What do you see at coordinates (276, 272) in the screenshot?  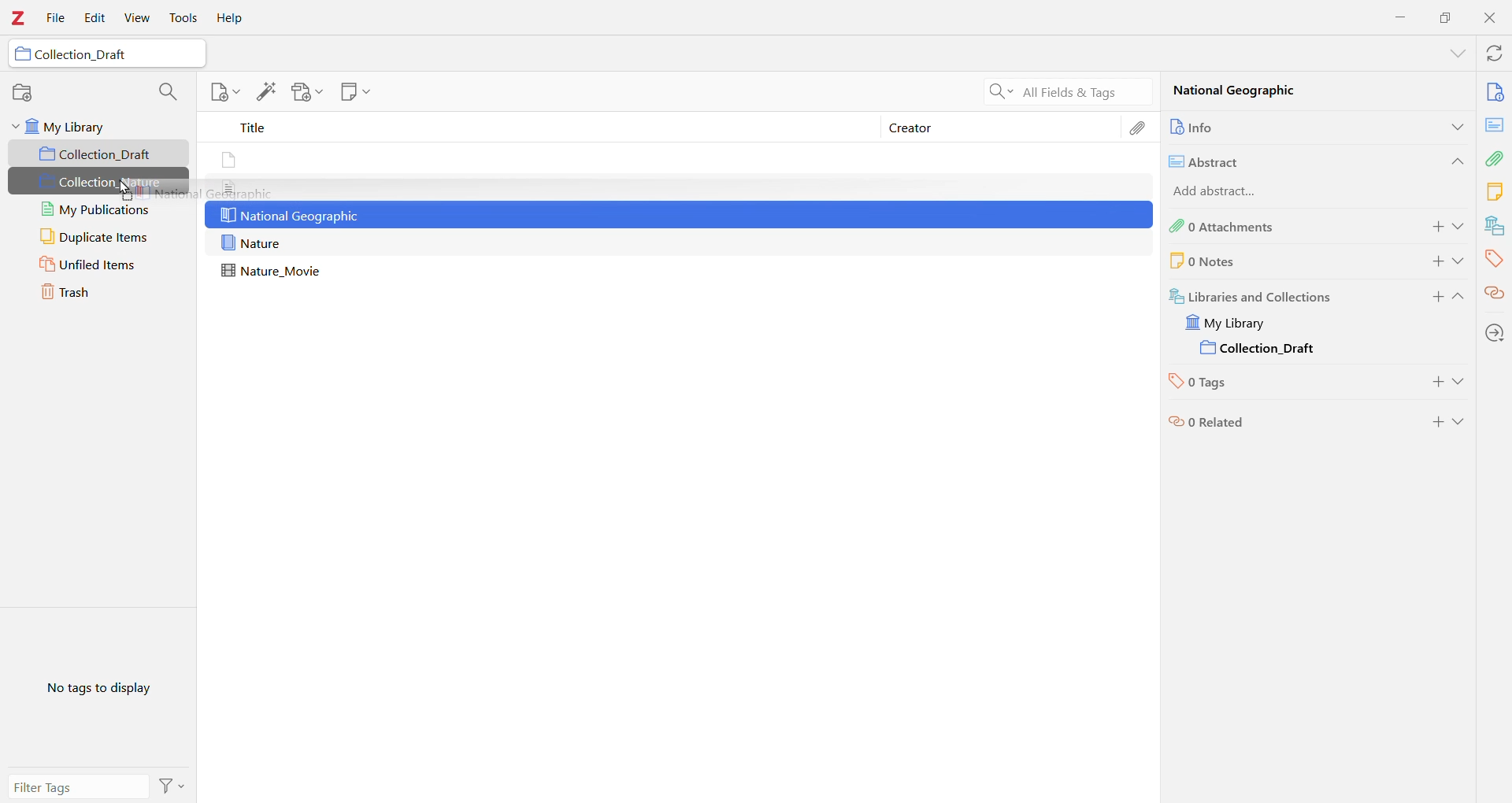 I see `nature_movie` at bounding box center [276, 272].